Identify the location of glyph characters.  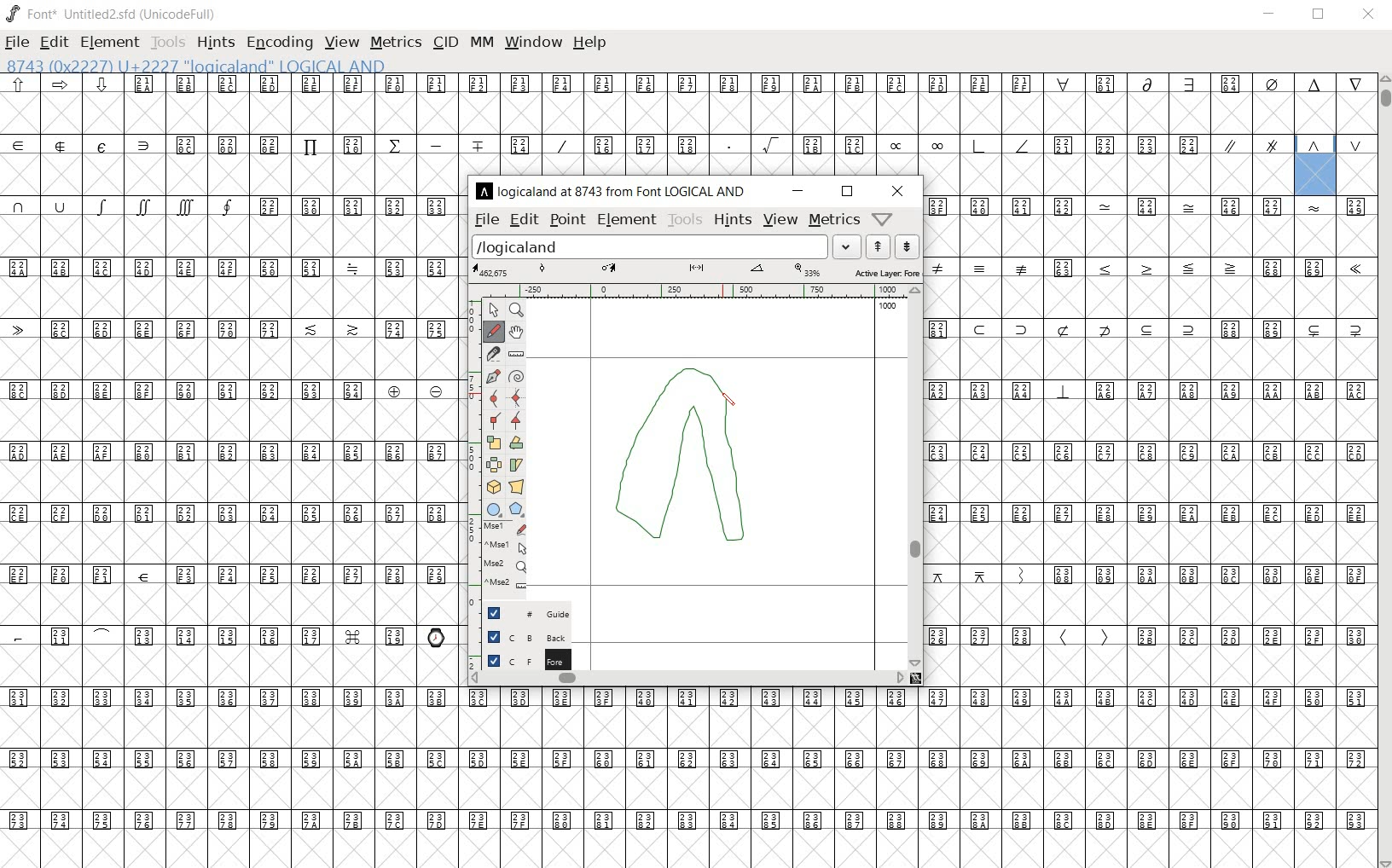
(917, 778).